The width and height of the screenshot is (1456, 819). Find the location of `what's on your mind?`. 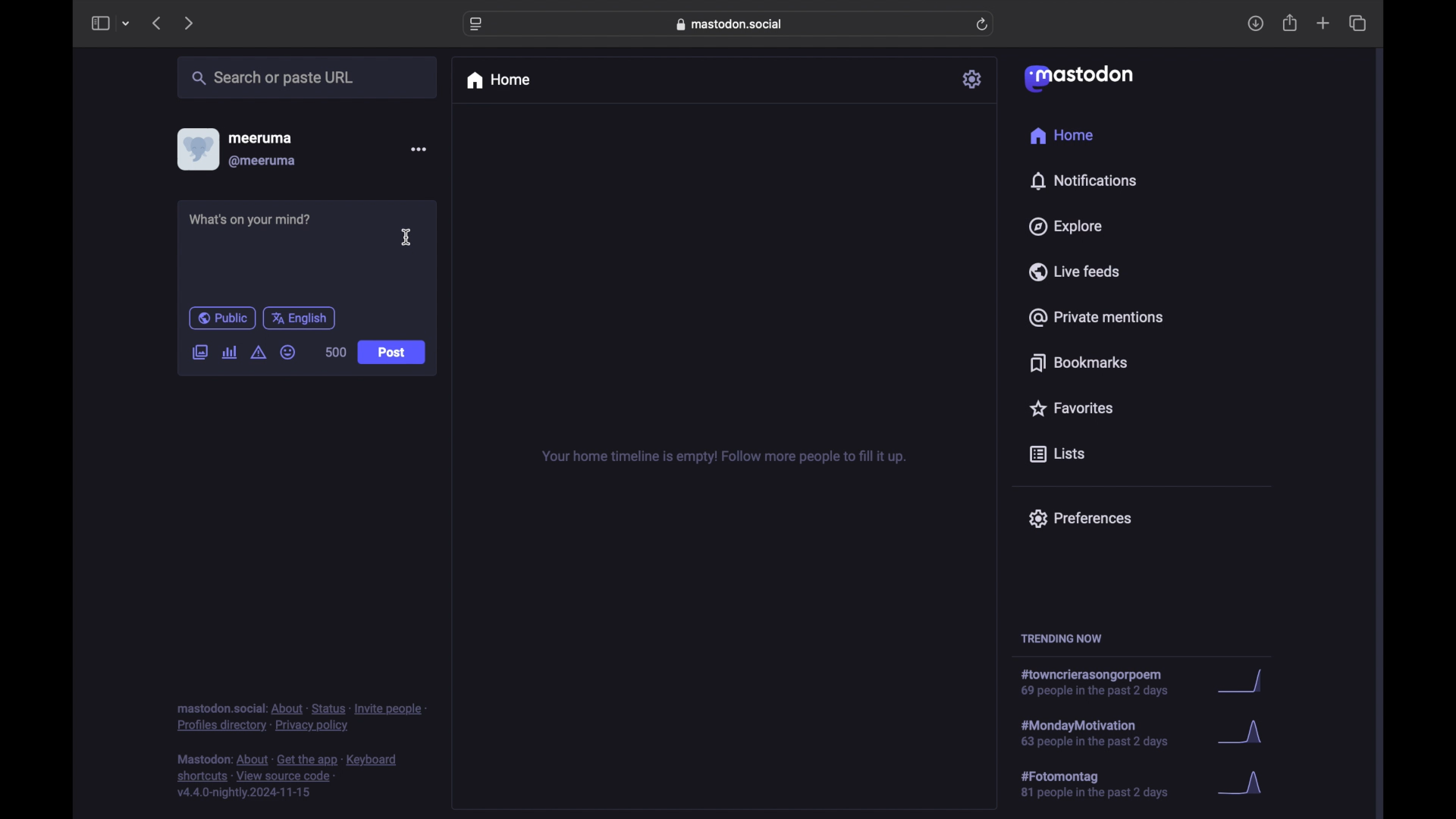

what's on your mind? is located at coordinates (249, 219).